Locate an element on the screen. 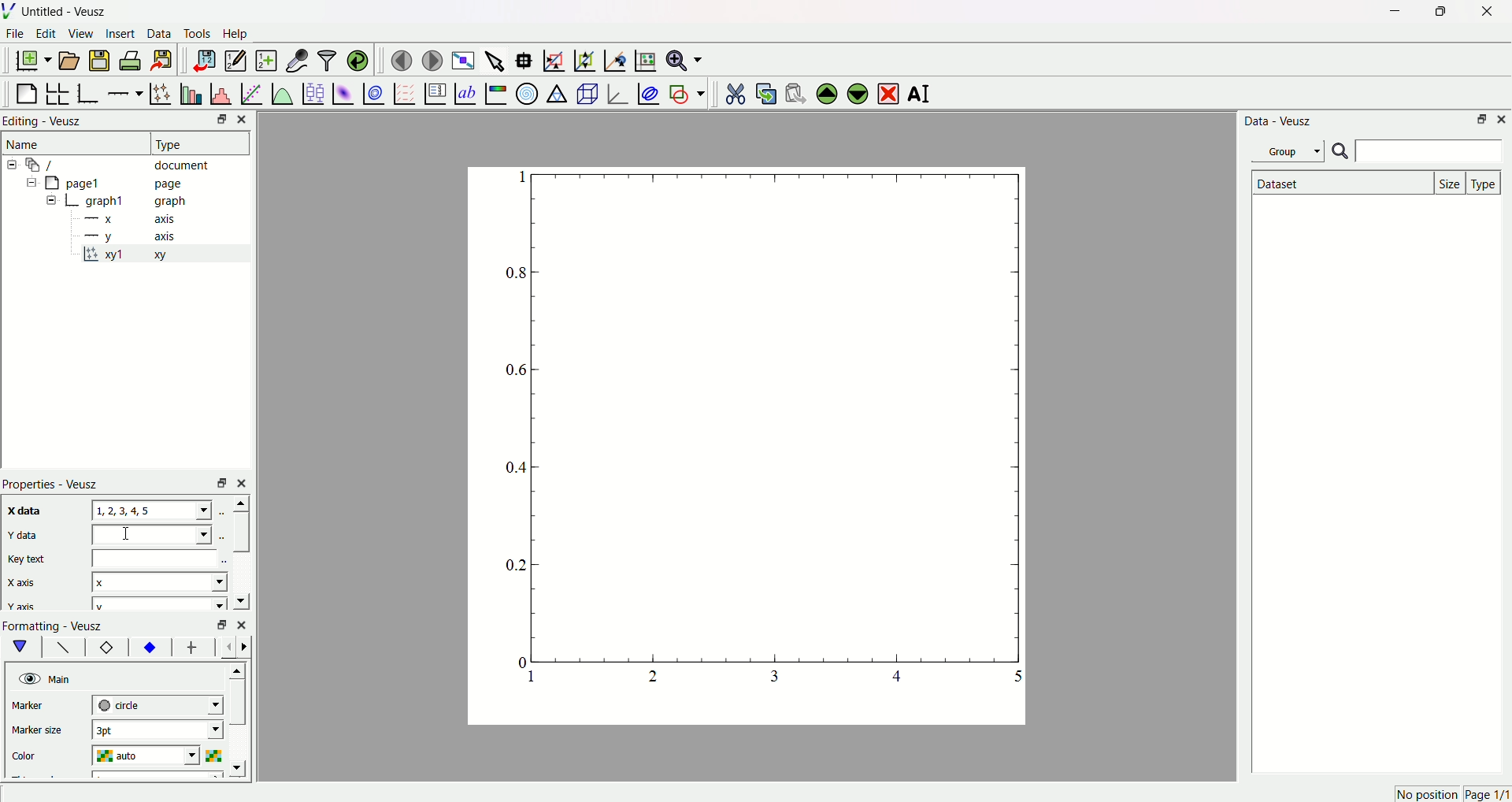 The image size is (1512, 802). print document is located at coordinates (132, 62).